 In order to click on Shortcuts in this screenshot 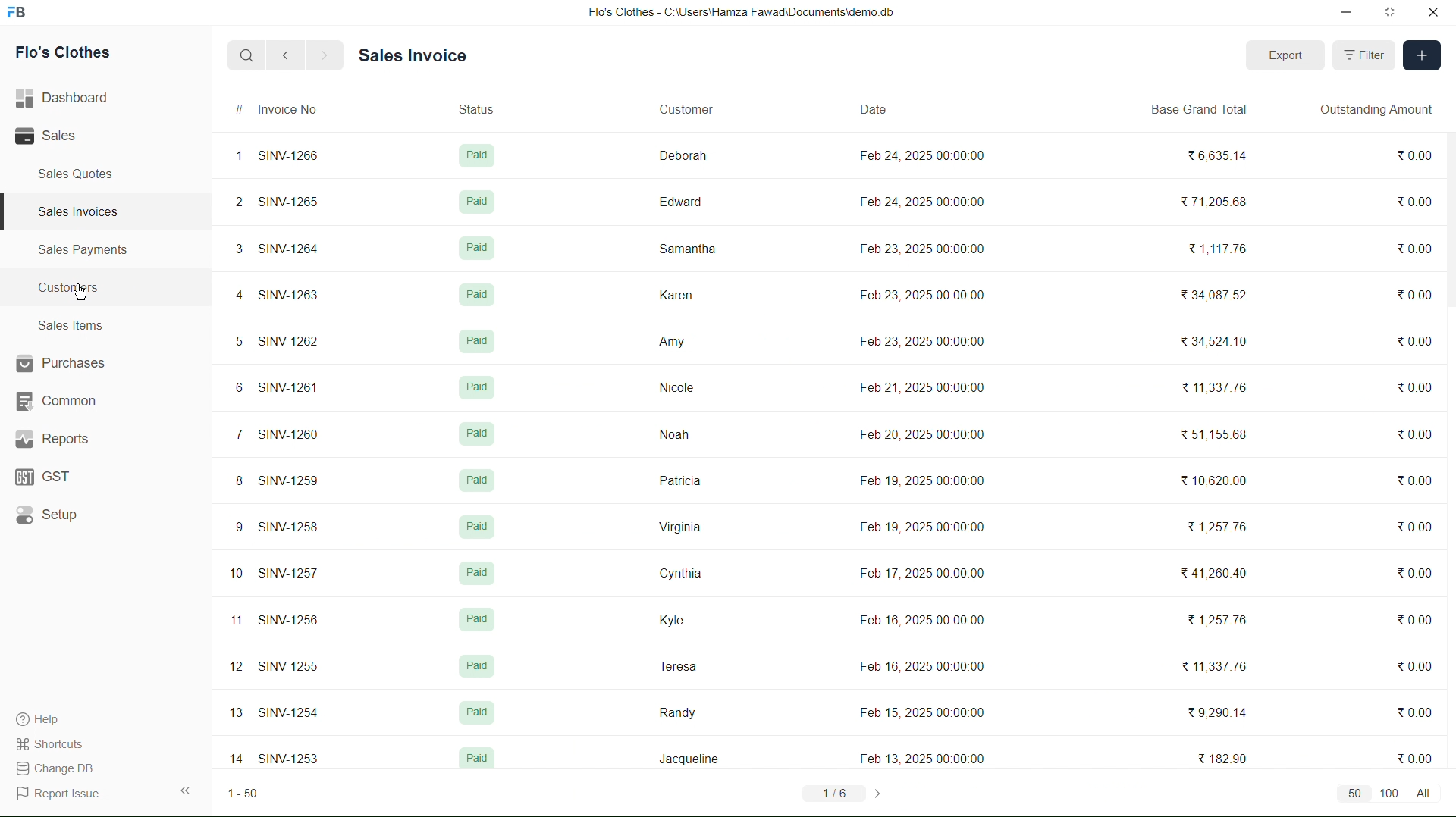, I will do `click(59, 743)`.